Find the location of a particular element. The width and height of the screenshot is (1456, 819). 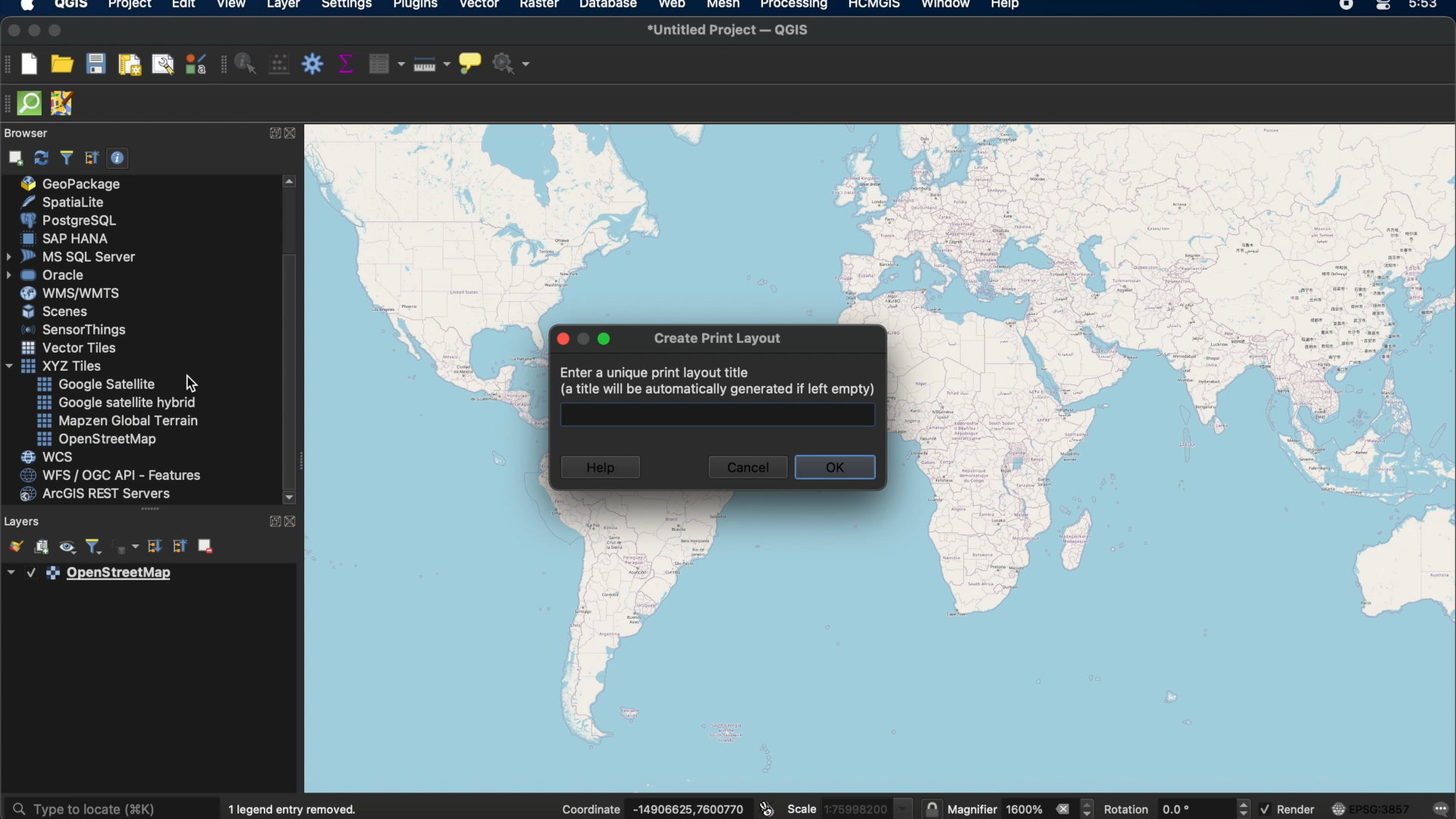

qgis is located at coordinates (69, 6).